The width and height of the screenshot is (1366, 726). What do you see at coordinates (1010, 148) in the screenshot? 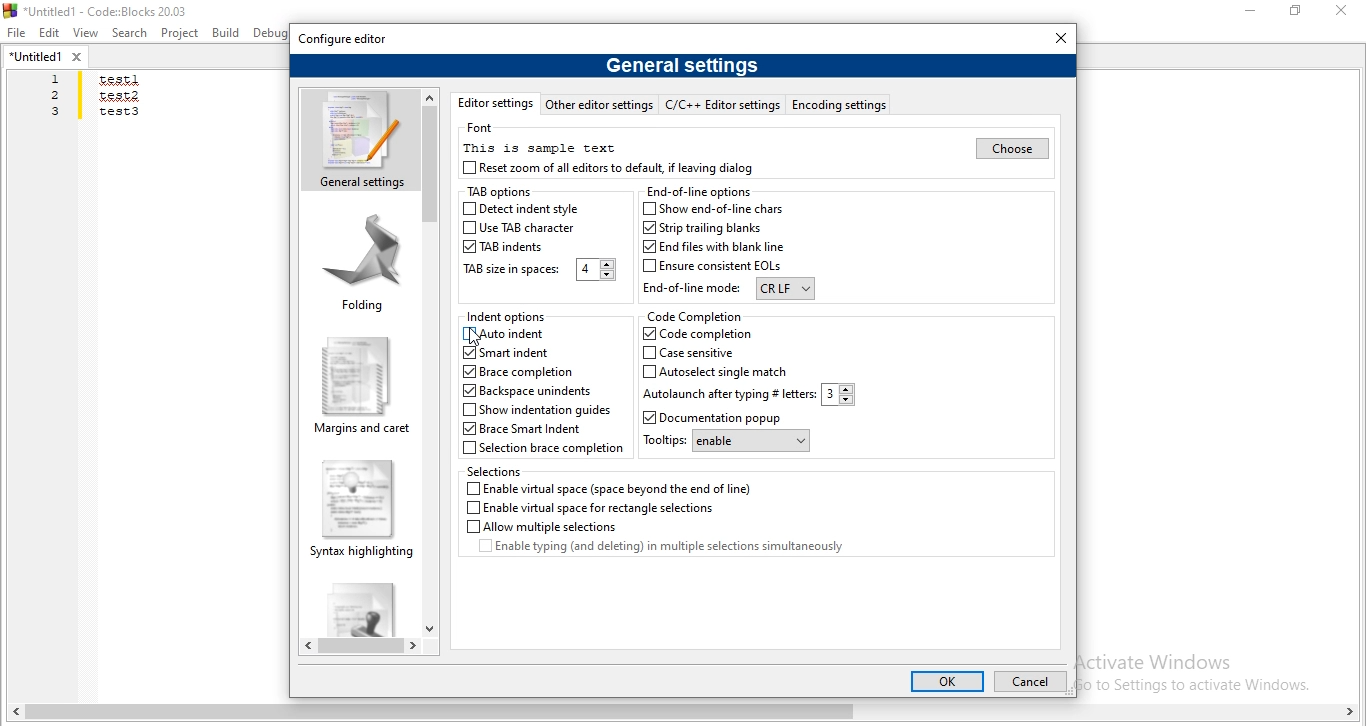
I see `choose` at bounding box center [1010, 148].